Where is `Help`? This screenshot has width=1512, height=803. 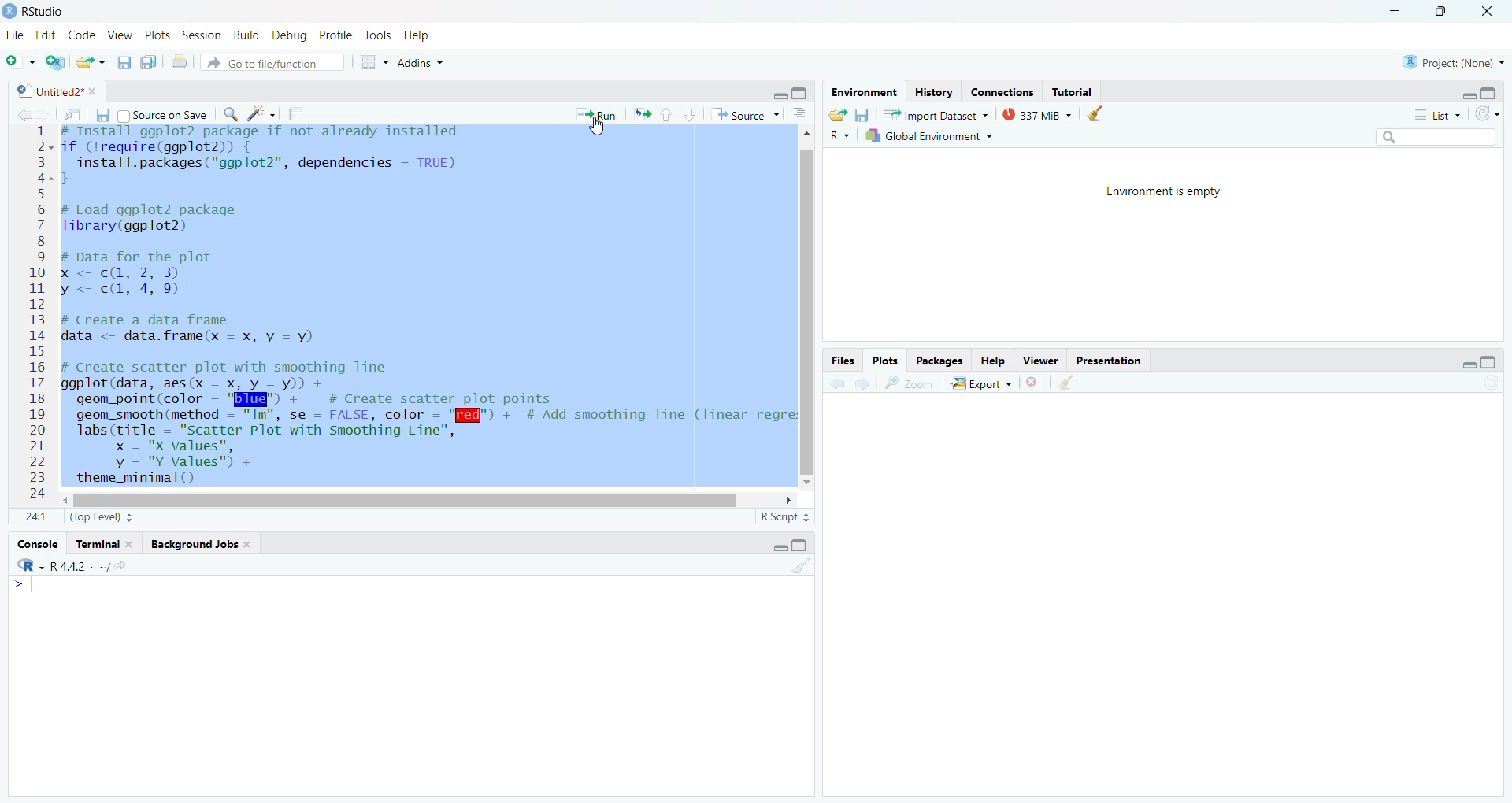
Help is located at coordinates (991, 361).